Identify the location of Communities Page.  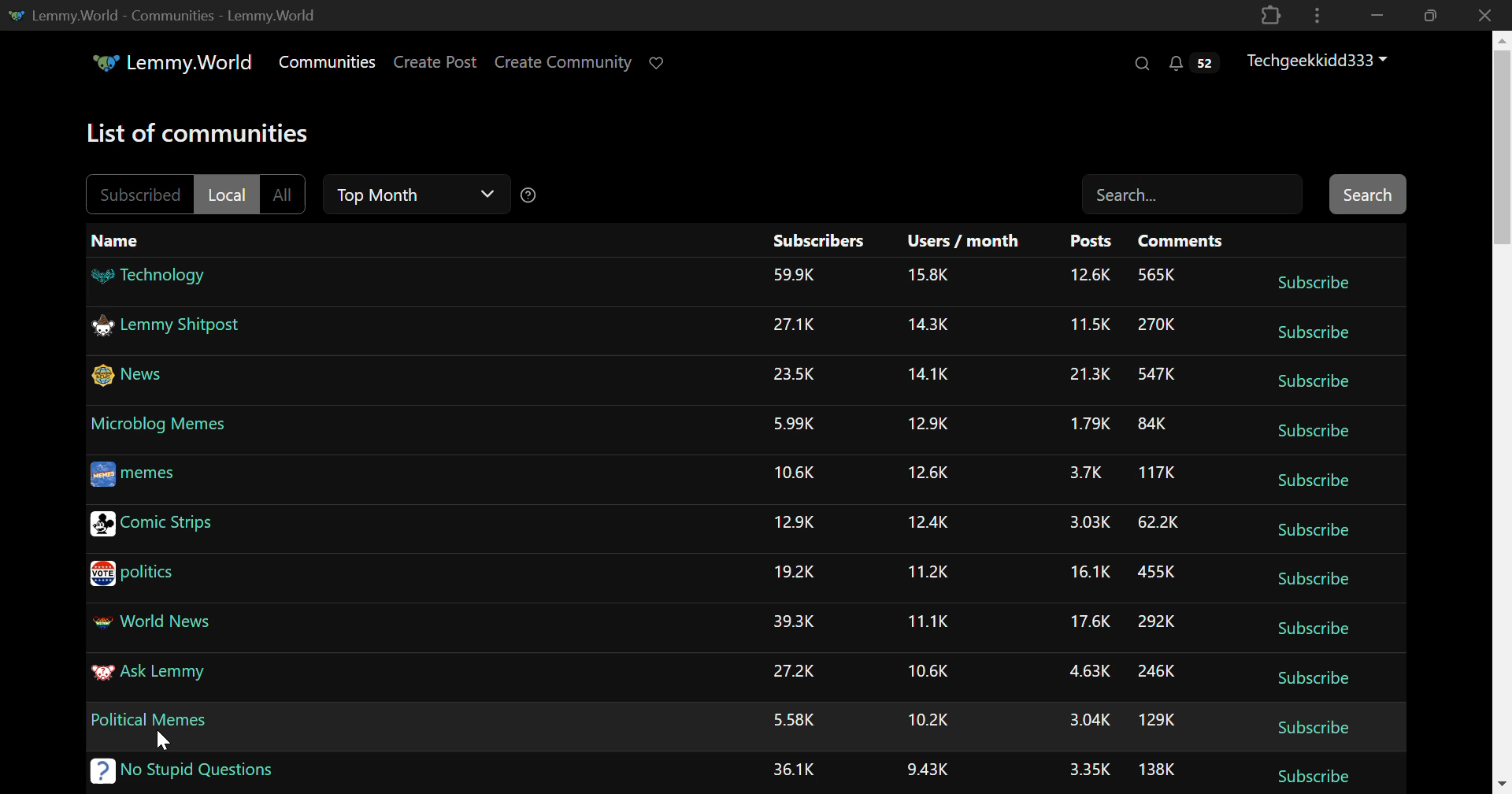
(326, 61).